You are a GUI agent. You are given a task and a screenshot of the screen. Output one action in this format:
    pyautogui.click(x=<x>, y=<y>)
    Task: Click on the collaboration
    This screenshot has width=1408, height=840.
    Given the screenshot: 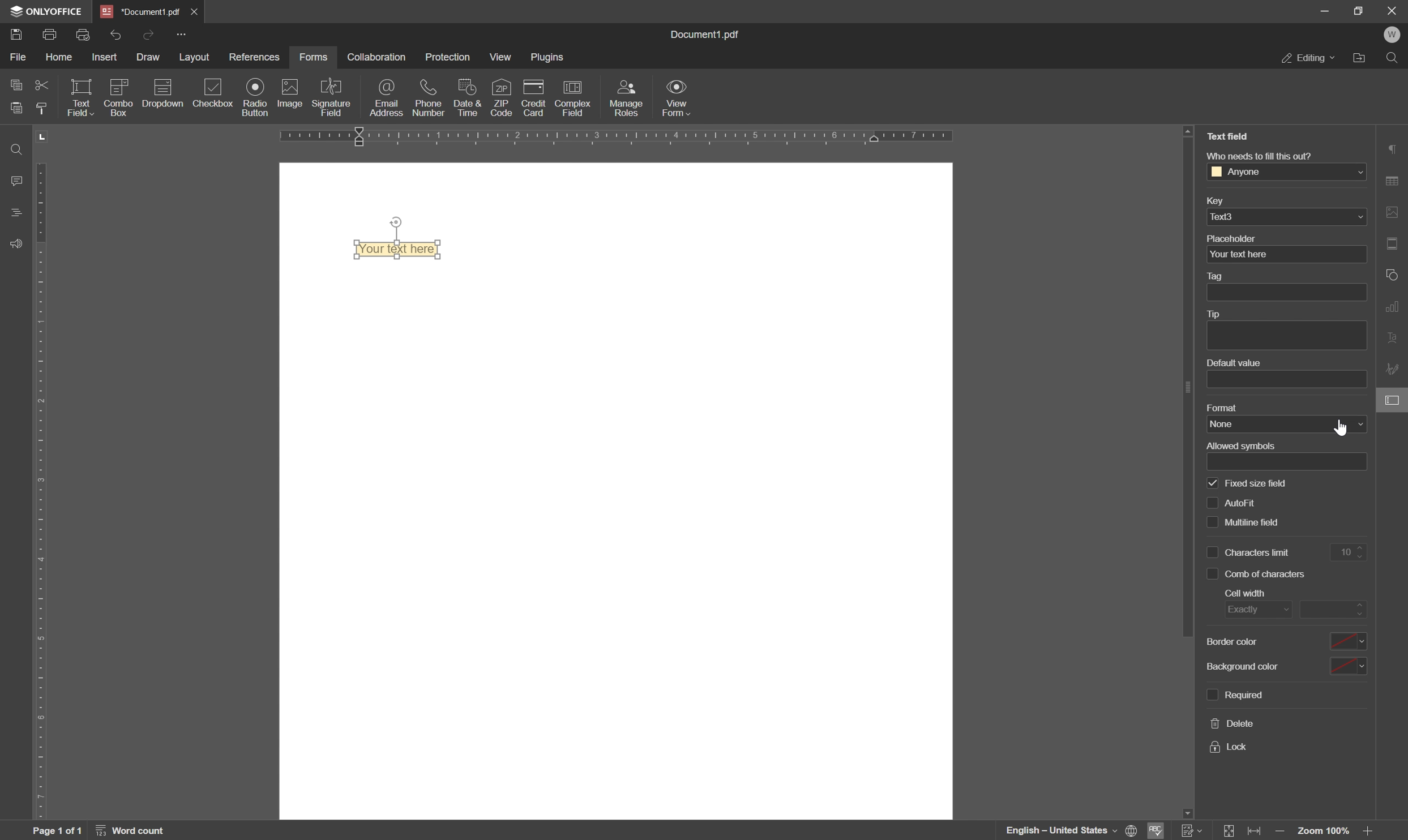 What is the action you would take?
    pyautogui.click(x=375, y=57)
    